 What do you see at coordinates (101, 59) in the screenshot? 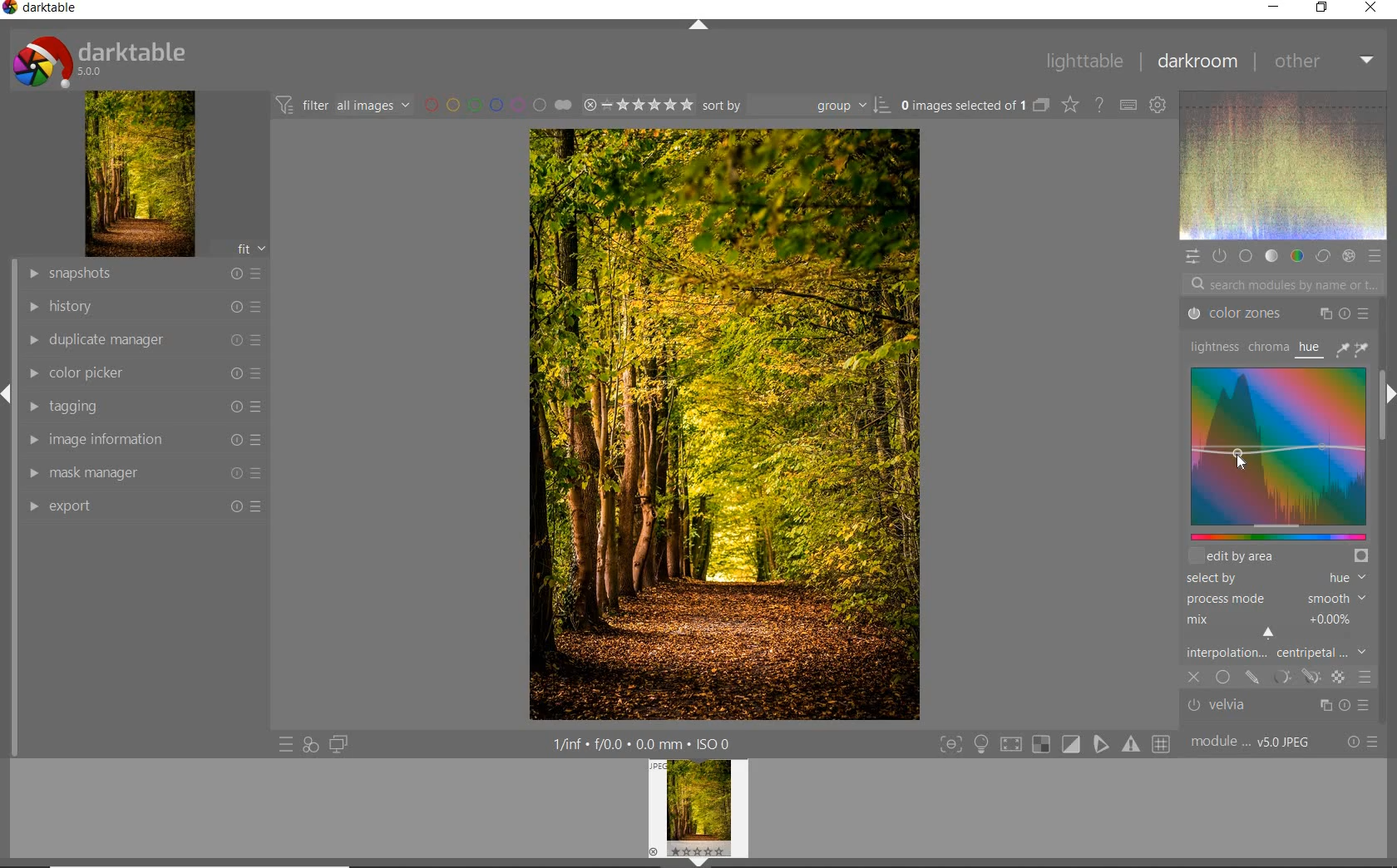
I see `SYSTEM LOGO & NAME` at bounding box center [101, 59].